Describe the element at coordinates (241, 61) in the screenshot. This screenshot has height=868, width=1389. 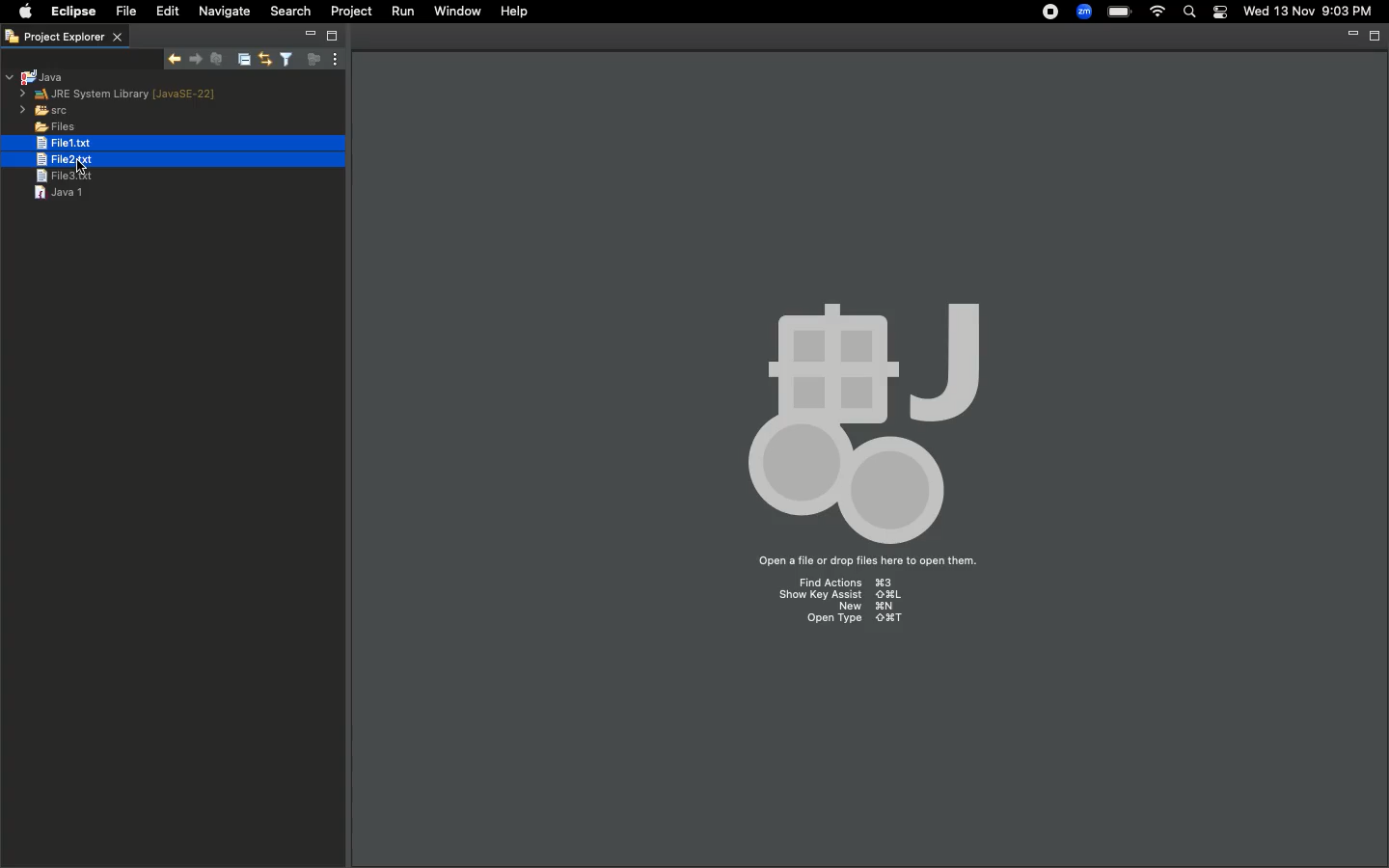
I see `Collapse all` at that location.